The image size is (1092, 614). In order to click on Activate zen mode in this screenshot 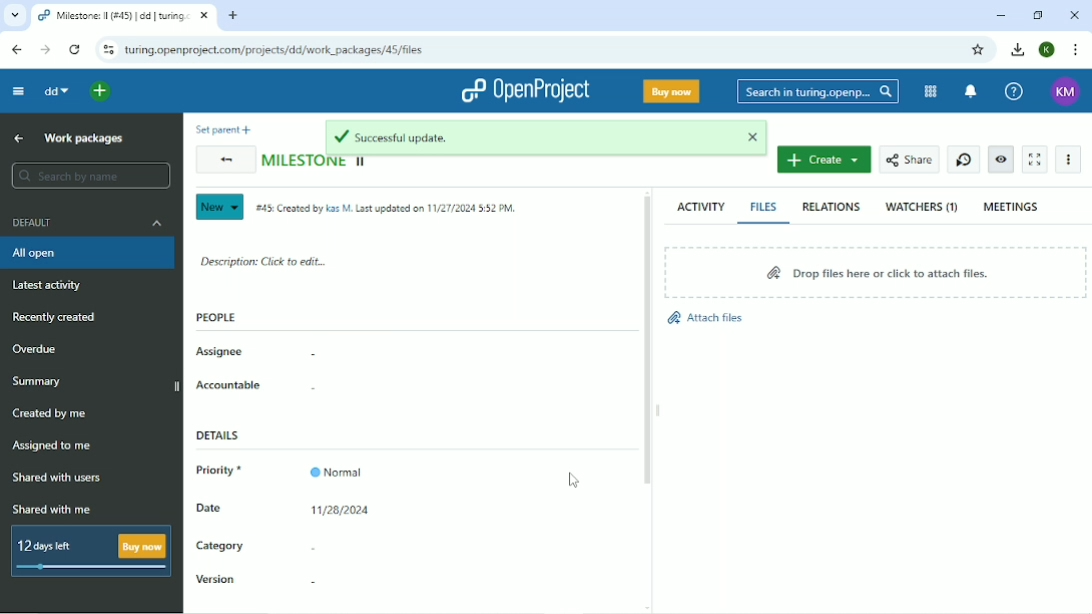, I will do `click(1034, 159)`.